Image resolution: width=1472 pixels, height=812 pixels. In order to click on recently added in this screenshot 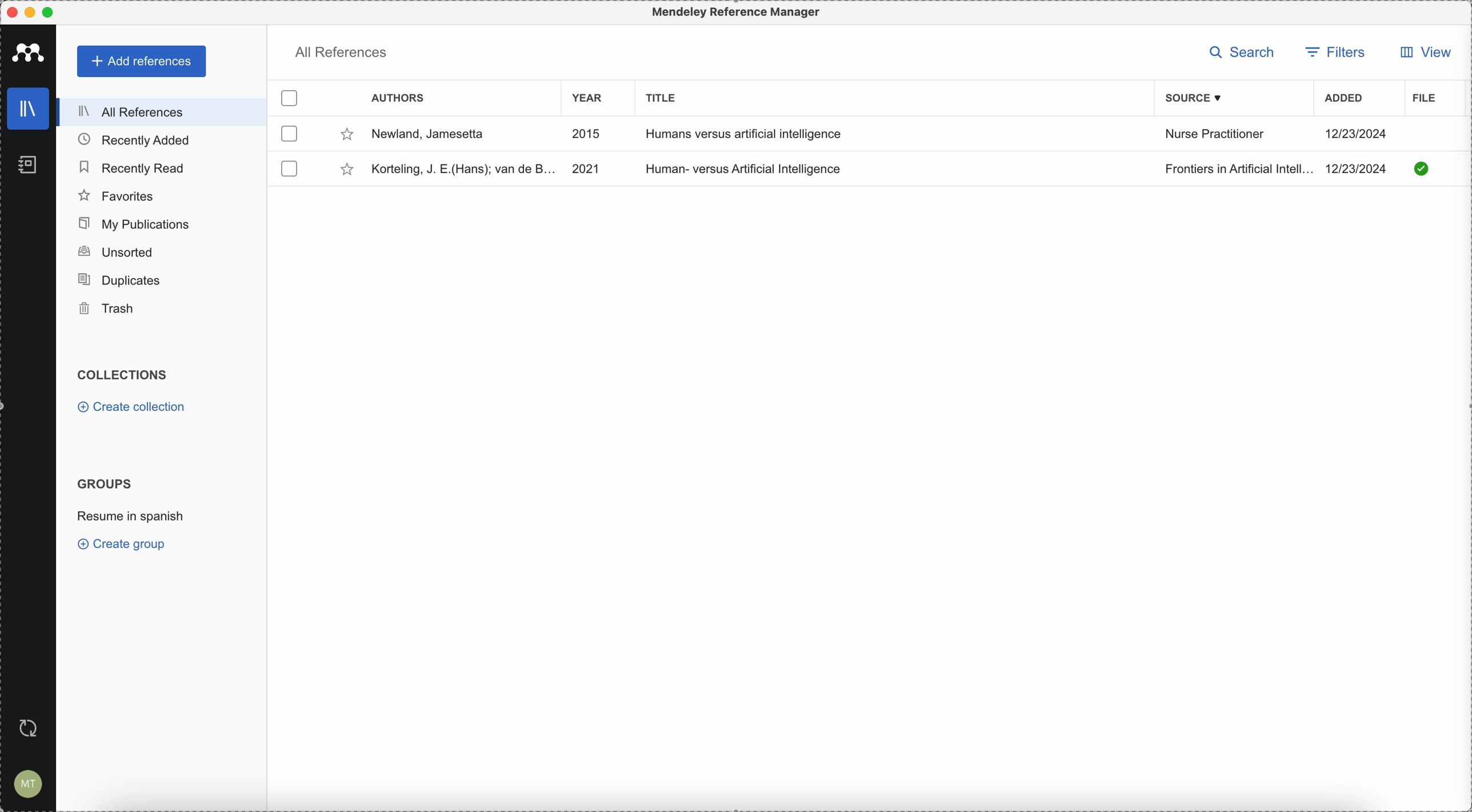, I will do `click(134, 139)`.